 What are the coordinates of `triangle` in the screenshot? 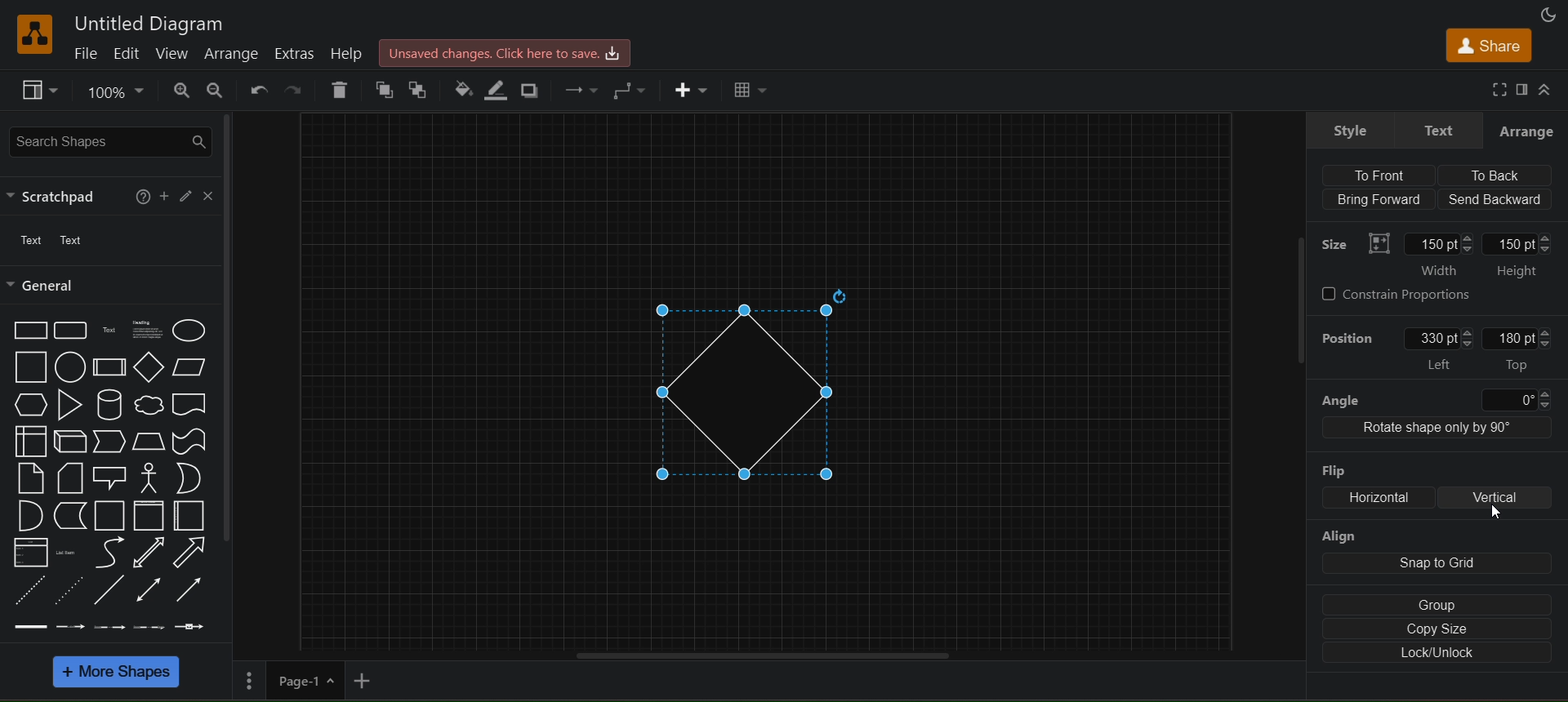 It's located at (68, 402).